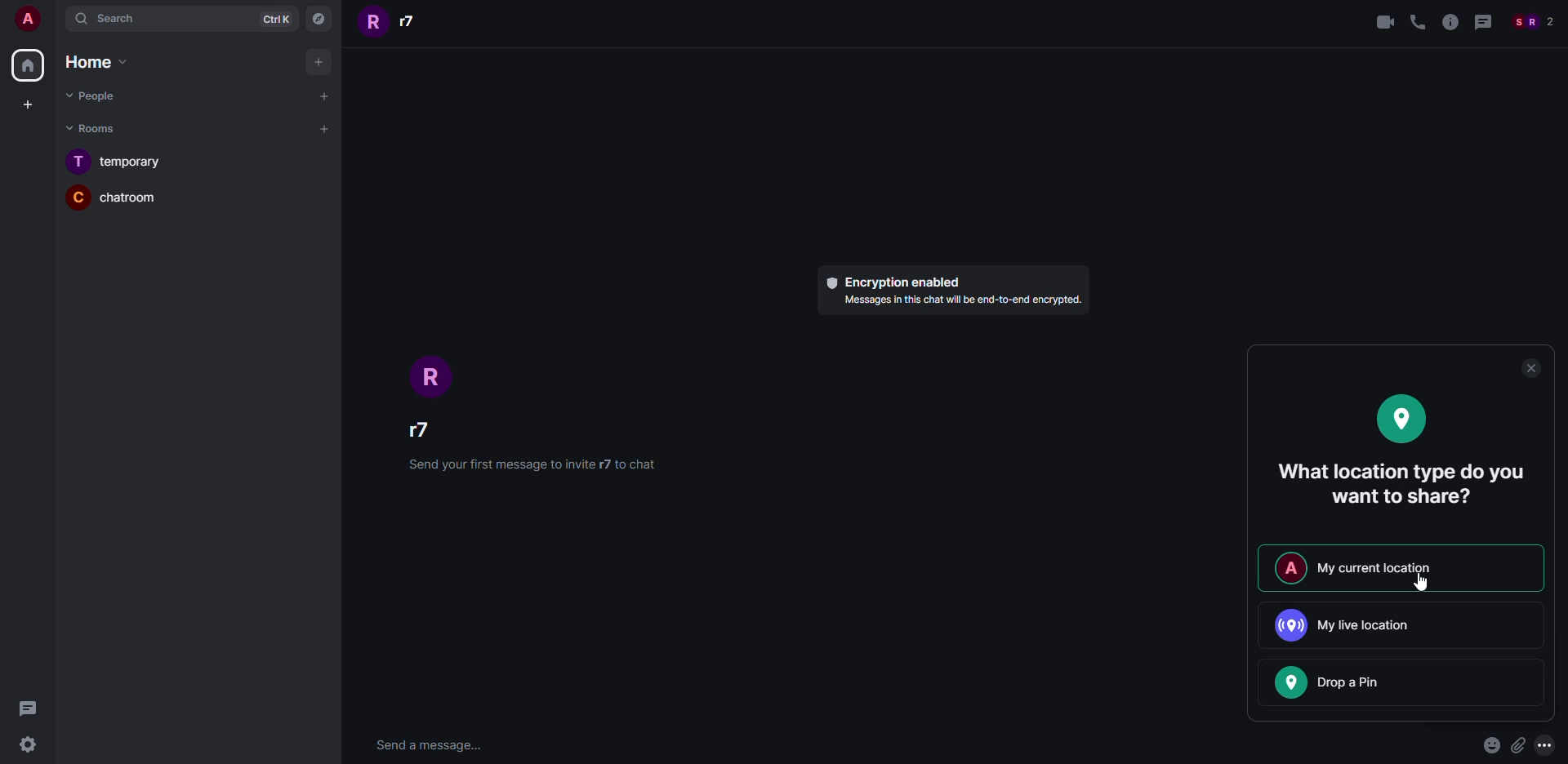  Describe the element at coordinates (394, 22) in the screenshot. I see `r7` at that location.